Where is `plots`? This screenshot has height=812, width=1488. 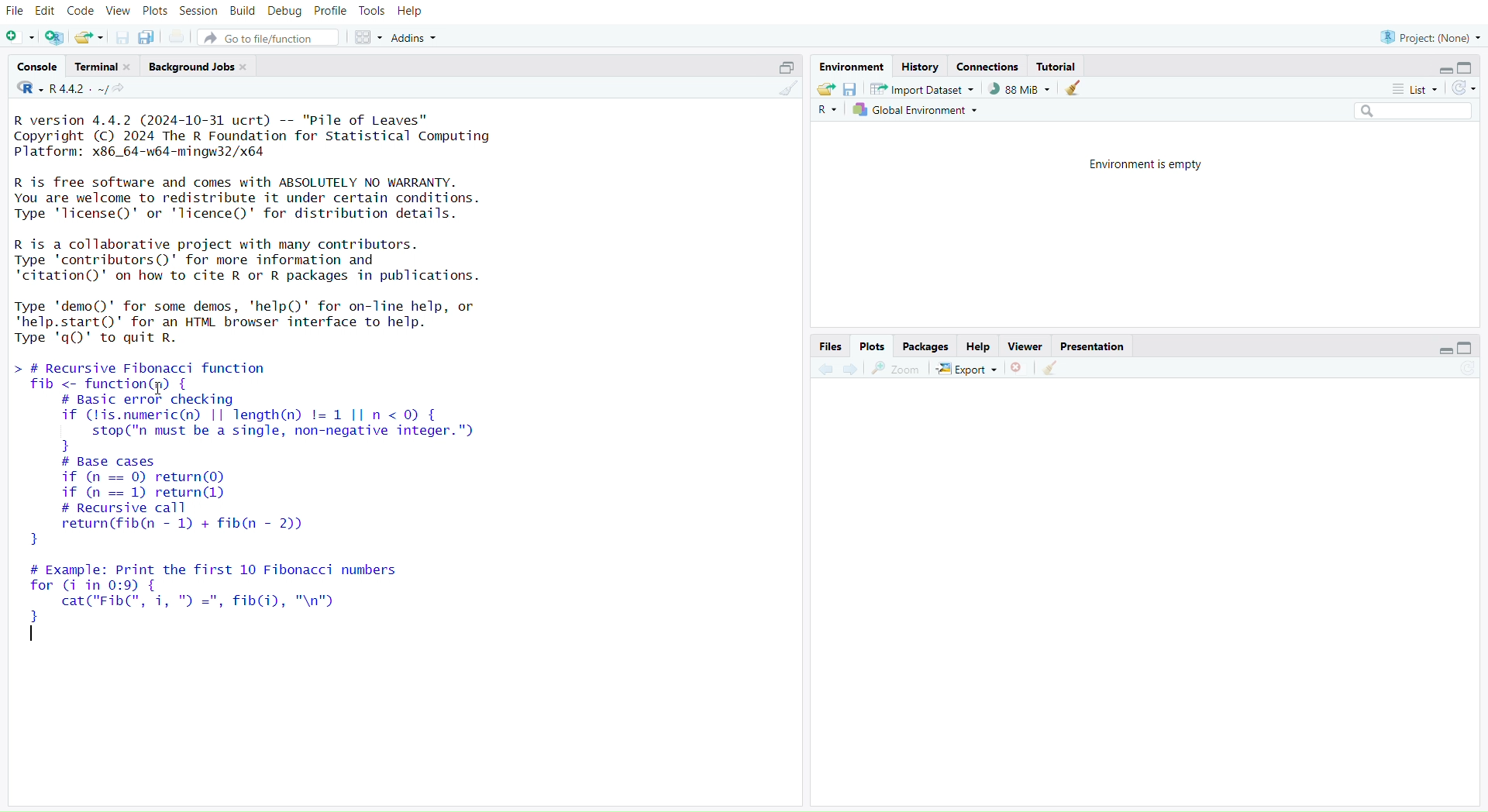 plots is located at coordinates (155, 13).